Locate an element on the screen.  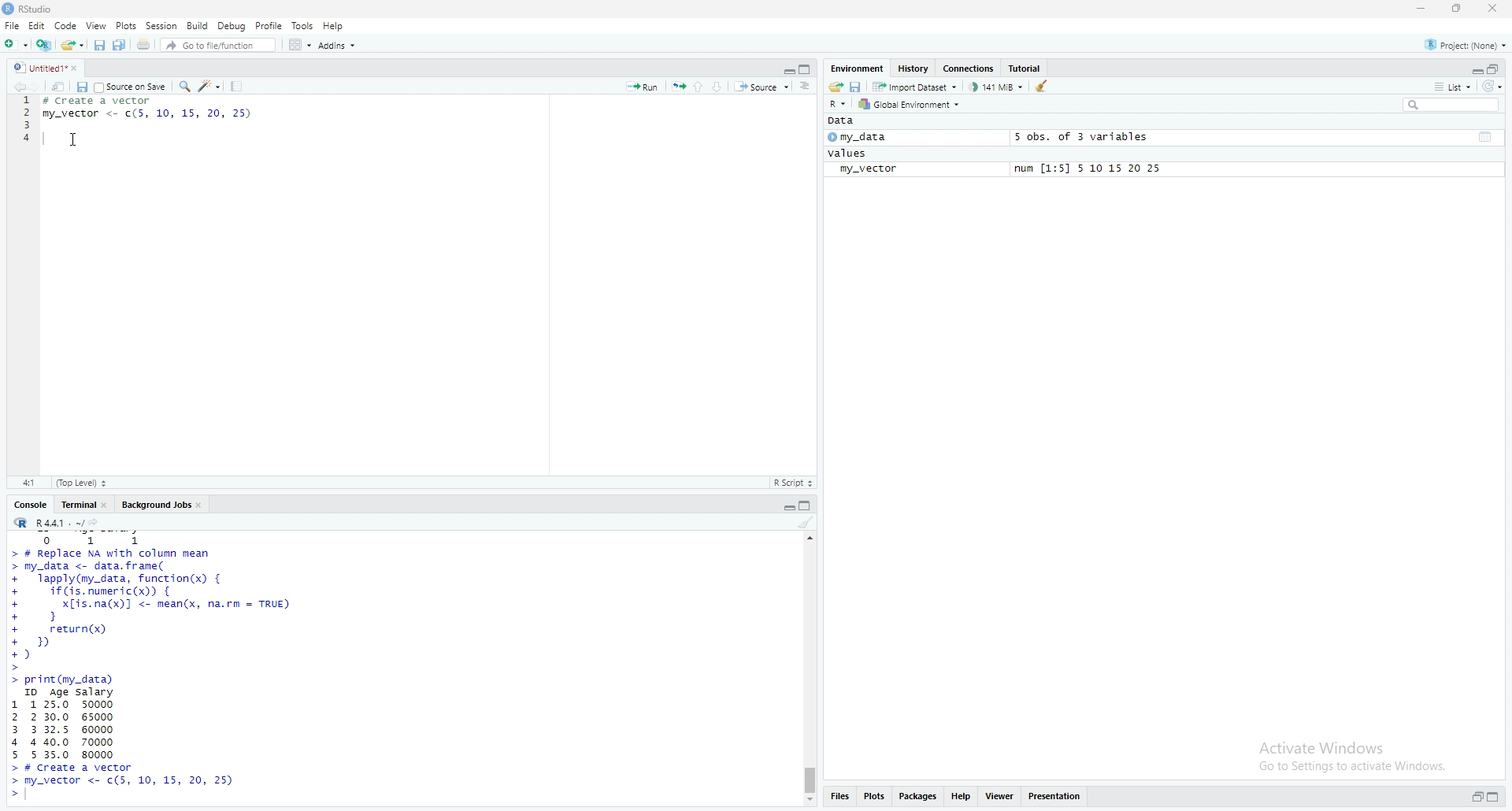
workspace pane is located at coordinates (296, 45).